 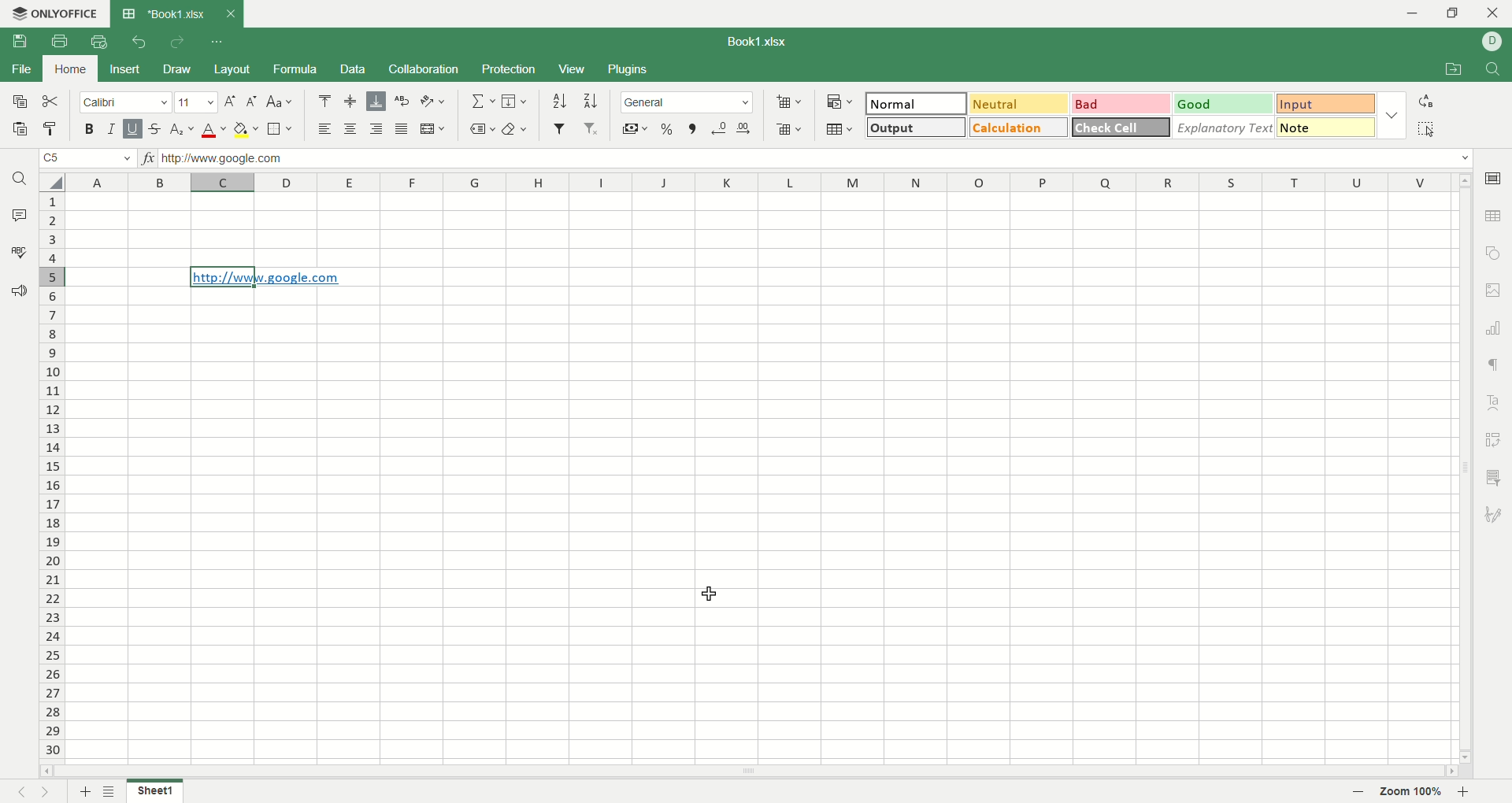 I want to click on neutral, so click(x=1018, y=102).